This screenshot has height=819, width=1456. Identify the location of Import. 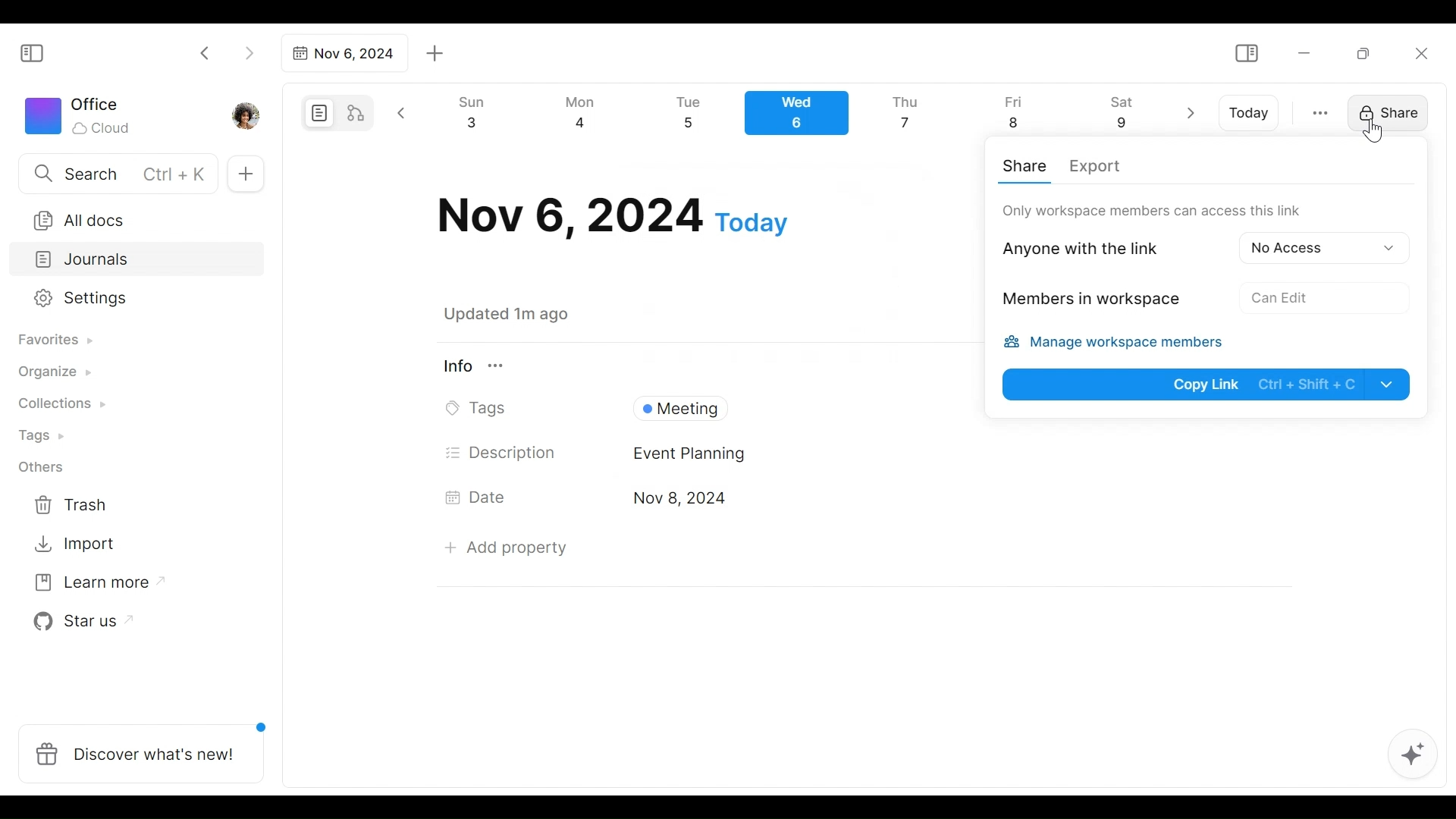
(77, 542).